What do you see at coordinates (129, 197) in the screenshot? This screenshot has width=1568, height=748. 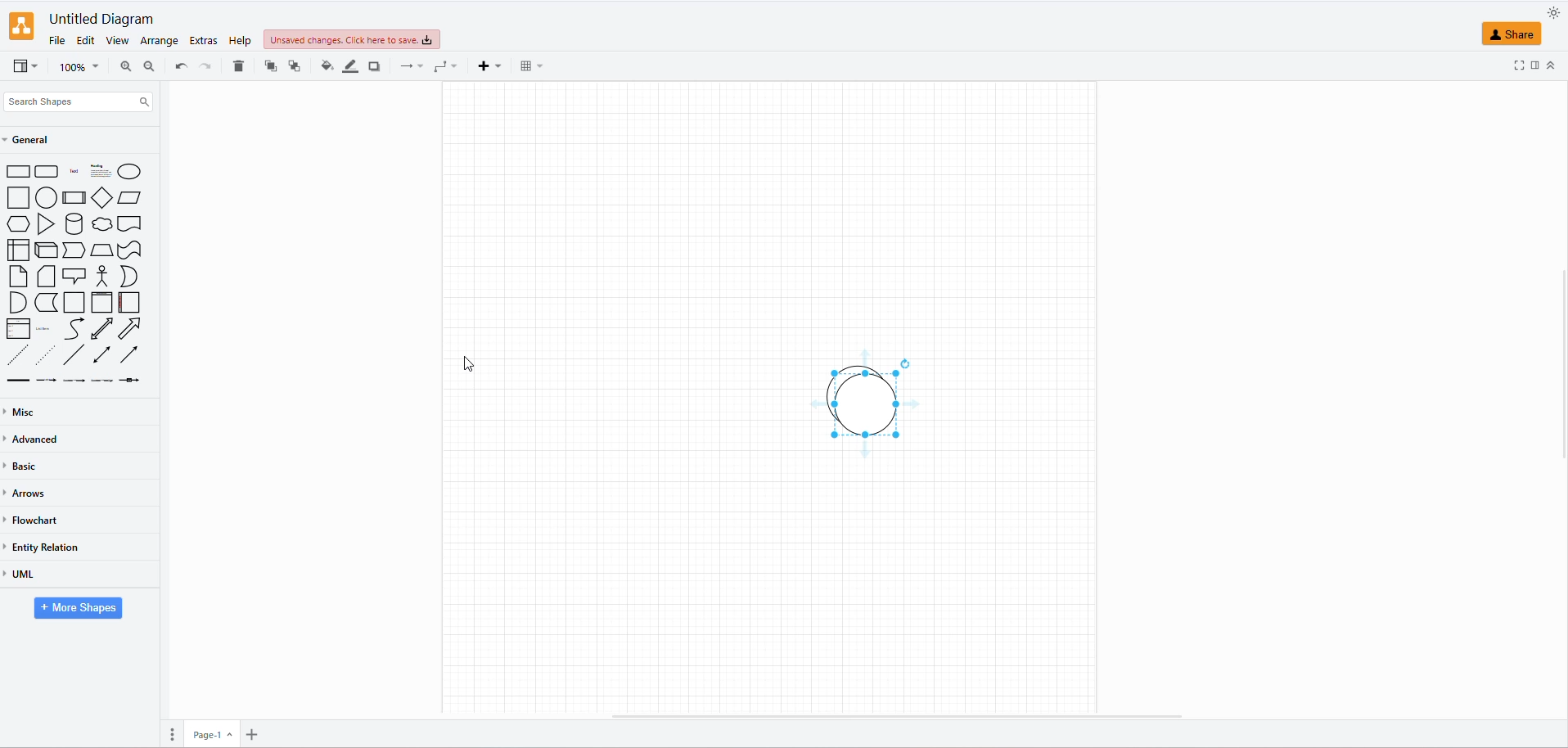 I see `PARALLELOGRAM` at bounding box center [129, 197].